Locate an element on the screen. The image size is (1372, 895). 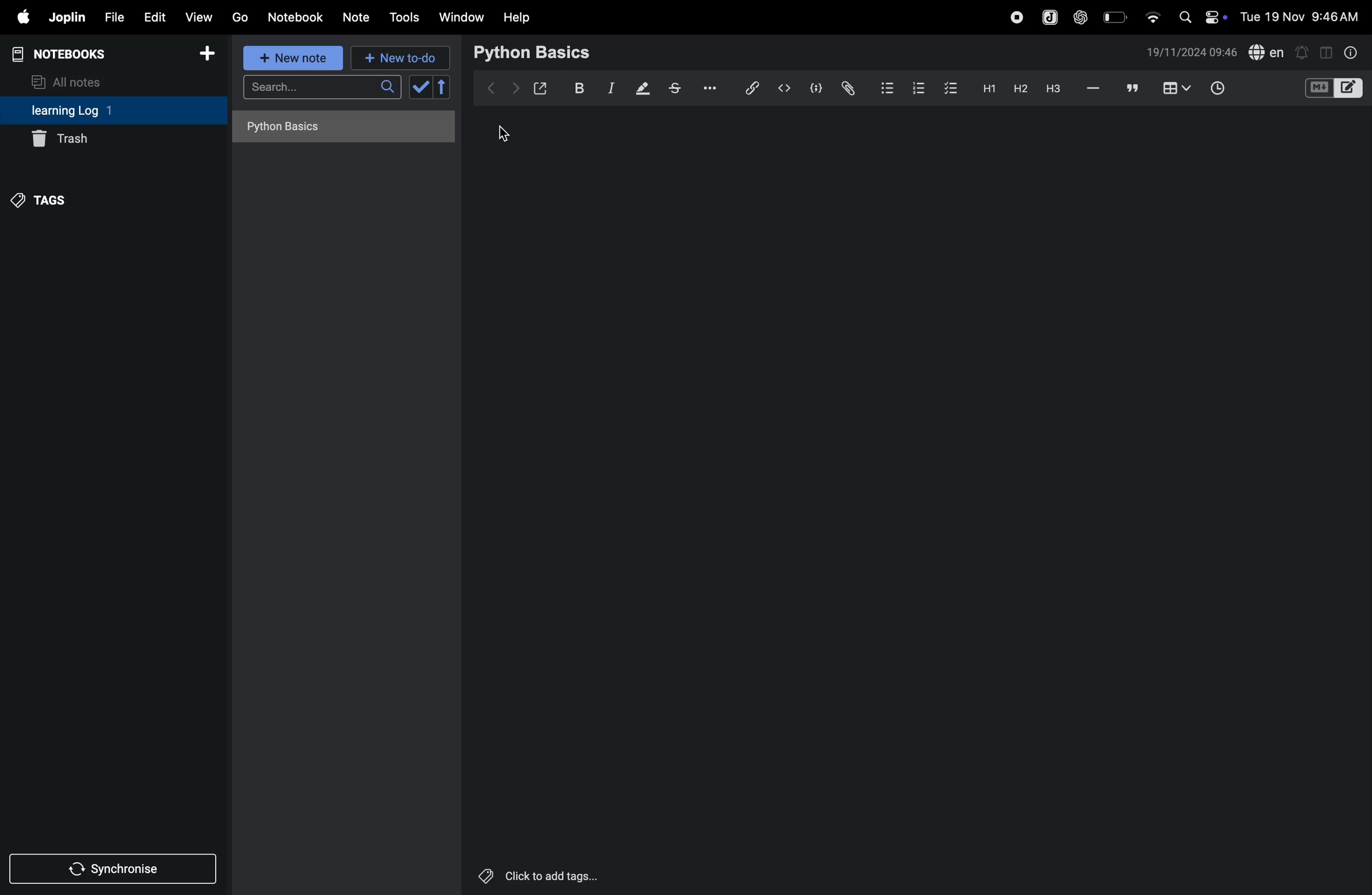
apple widgets is located at coordinates (1200, 16).